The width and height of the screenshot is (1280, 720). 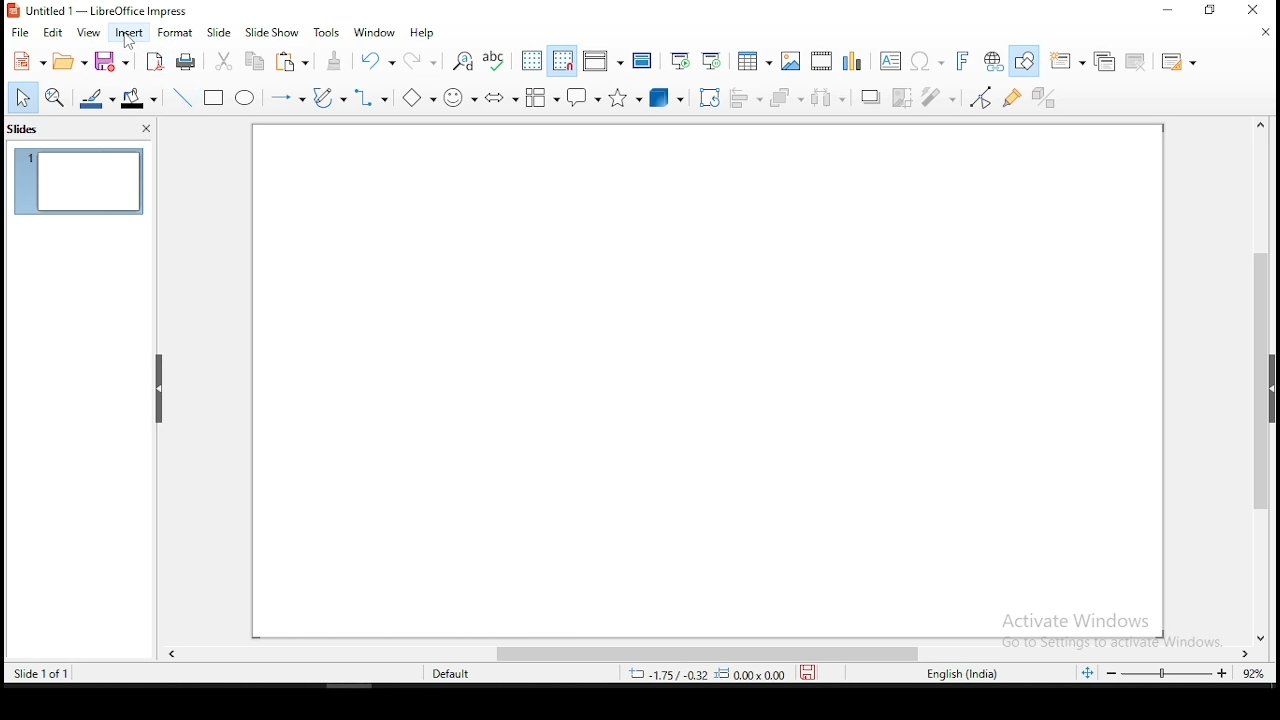 What do you see at coordinates (502, 97) in the screenshot?
I see `` at bounding box center [502, 97].